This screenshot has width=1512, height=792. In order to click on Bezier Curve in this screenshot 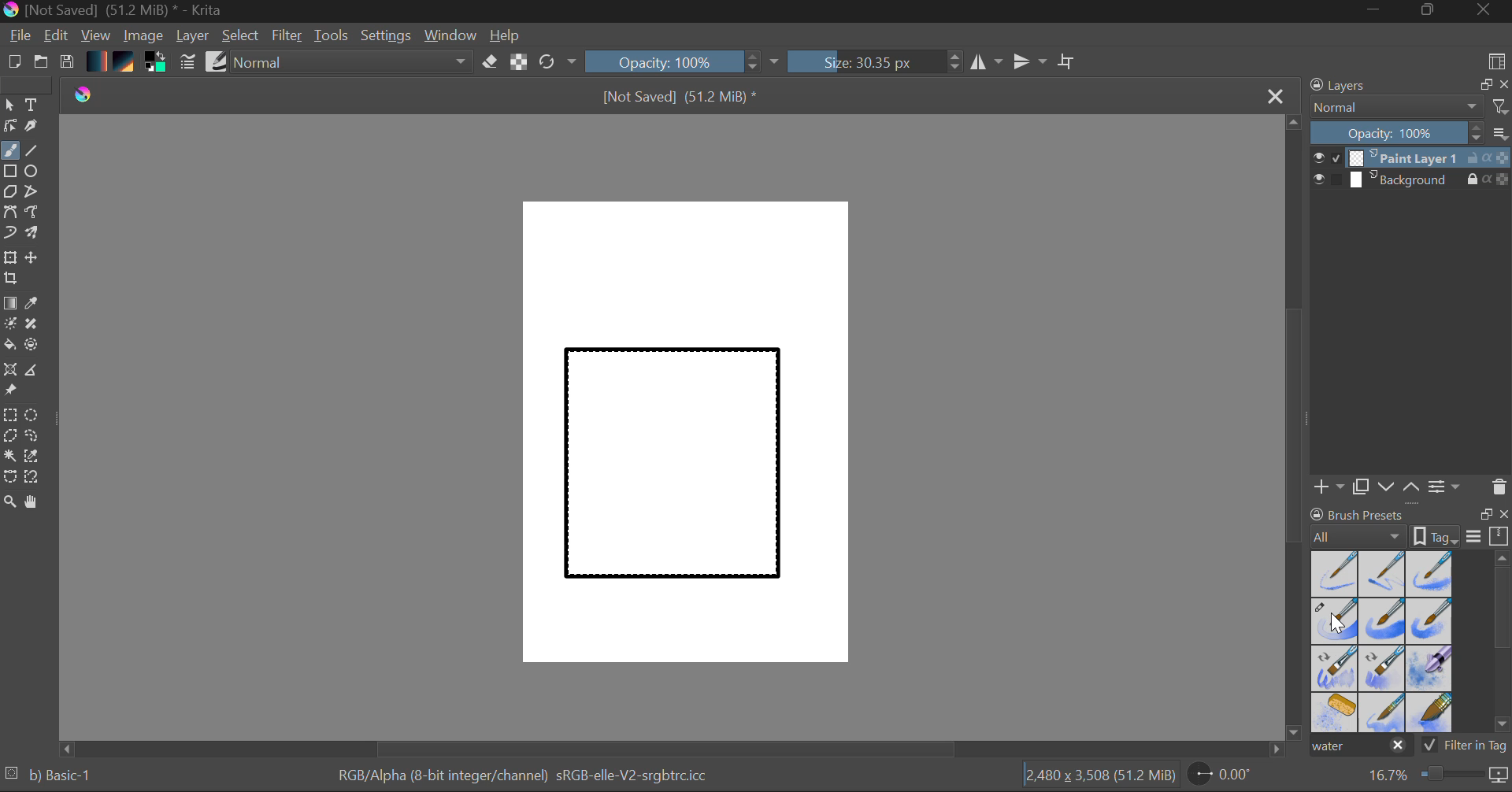, I will do `click(9, 213)`.